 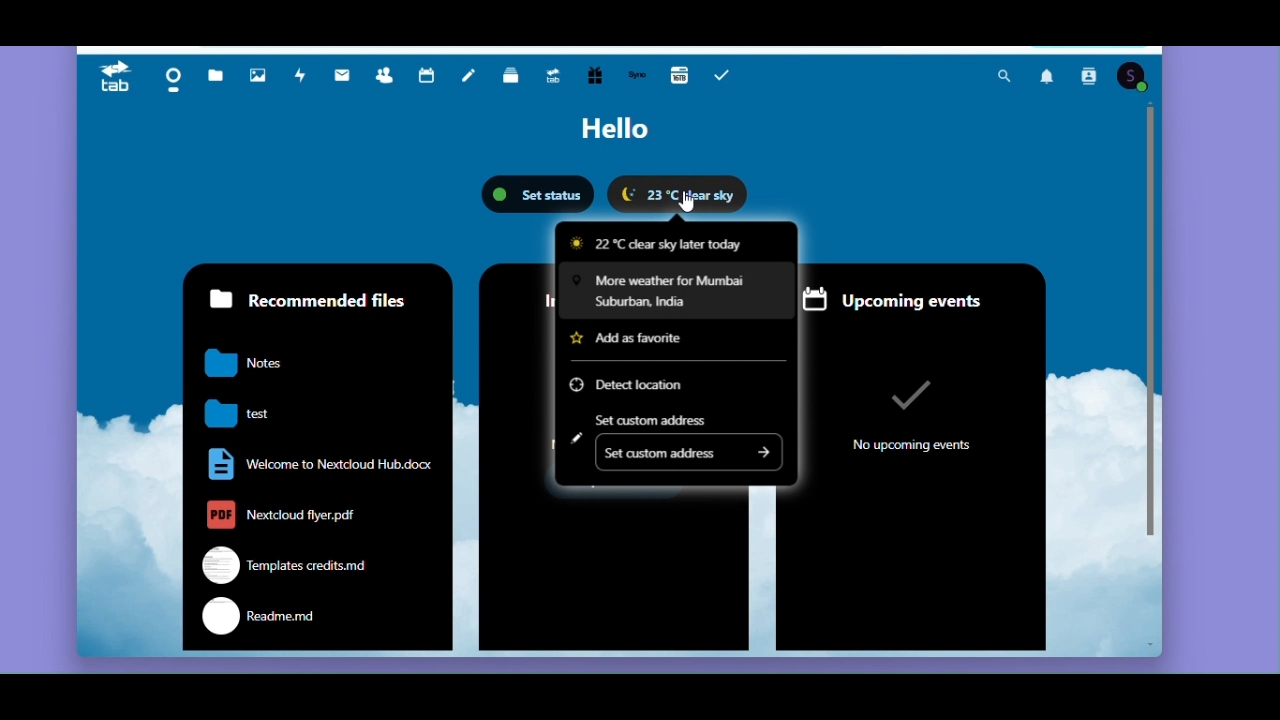 What do you see at coordinates (343, 80) in the screenshot?
I see `Mail ` at bounding box center [343, 80].